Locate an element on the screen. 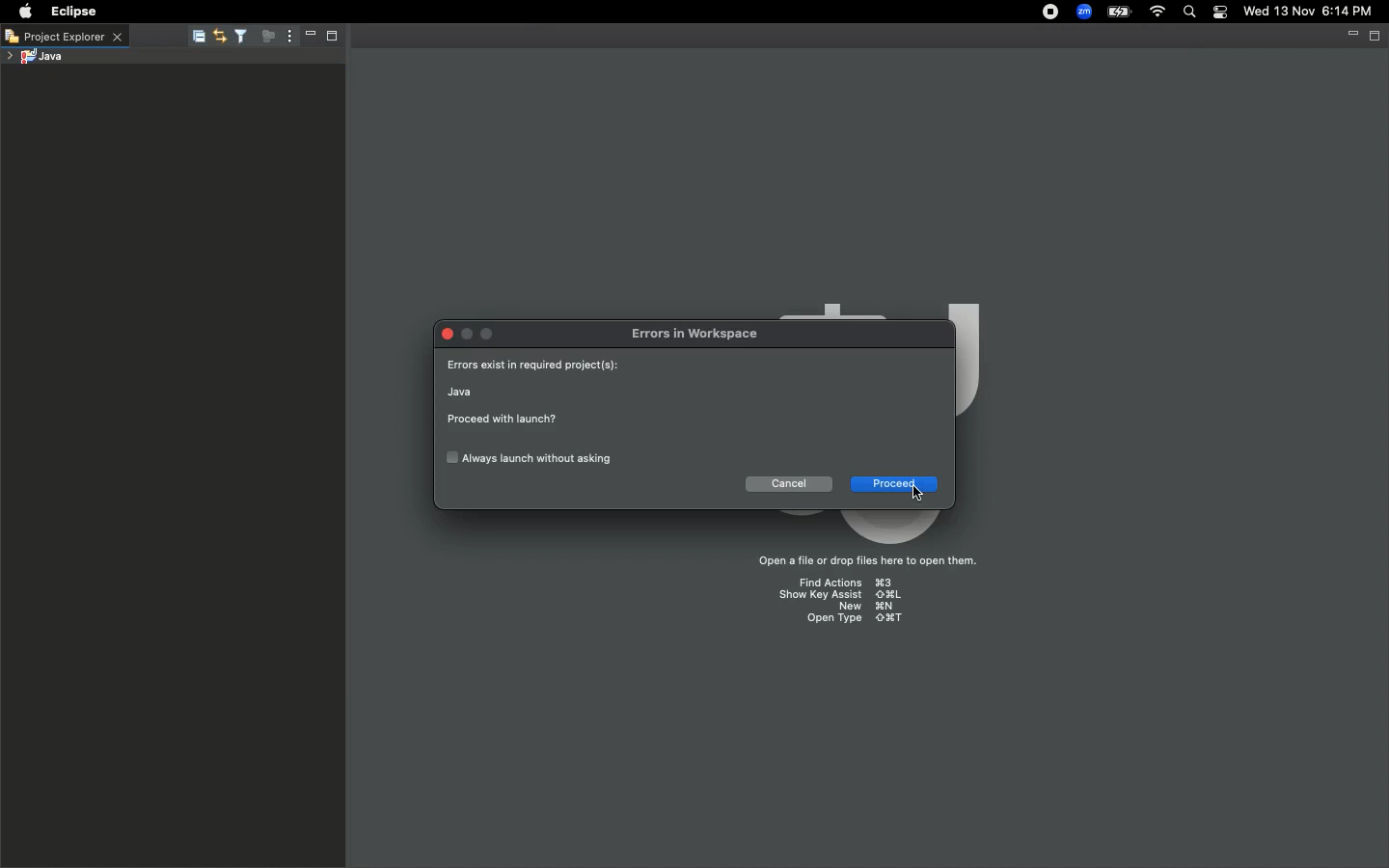 The width and height of the screenshot is (1389, 868). Open a file or drop files here is located at coordinates (858, 563).